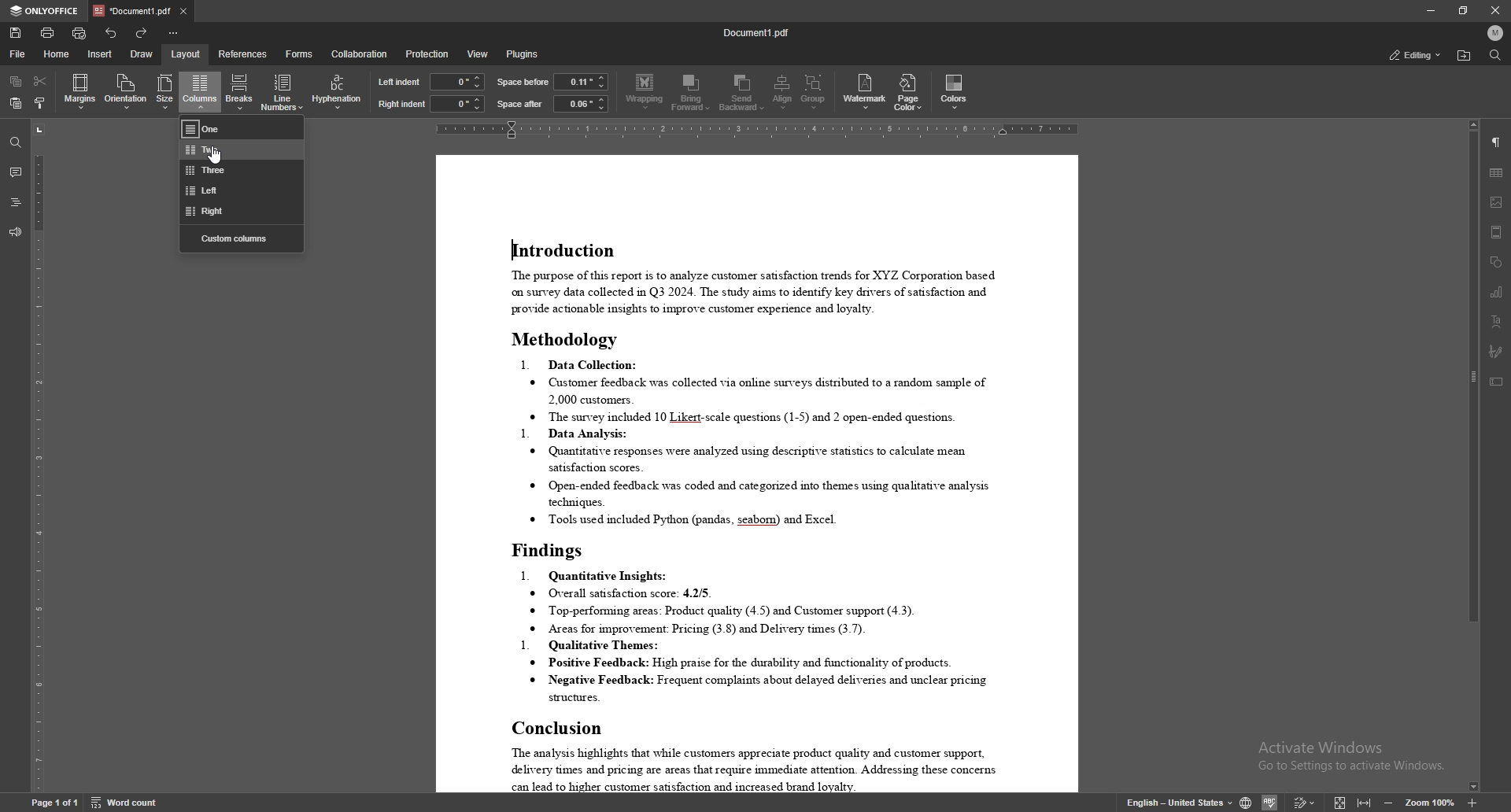  I want to click on resize, so click(1464, 10).